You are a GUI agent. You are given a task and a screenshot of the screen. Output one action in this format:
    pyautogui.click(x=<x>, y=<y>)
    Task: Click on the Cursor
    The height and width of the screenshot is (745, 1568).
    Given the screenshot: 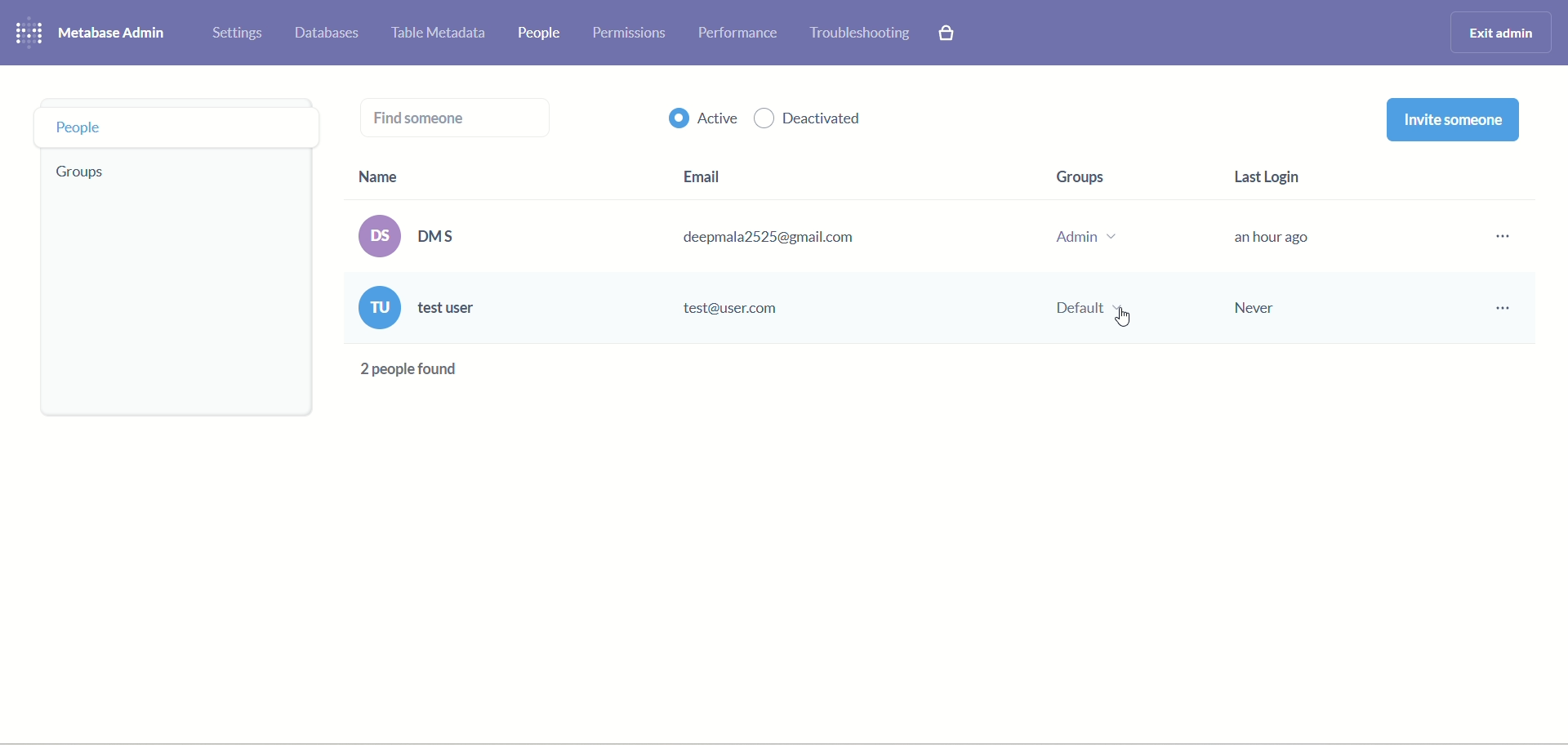 What is the action you would take?
    pyautogui.click(x=1129, y=317)
    